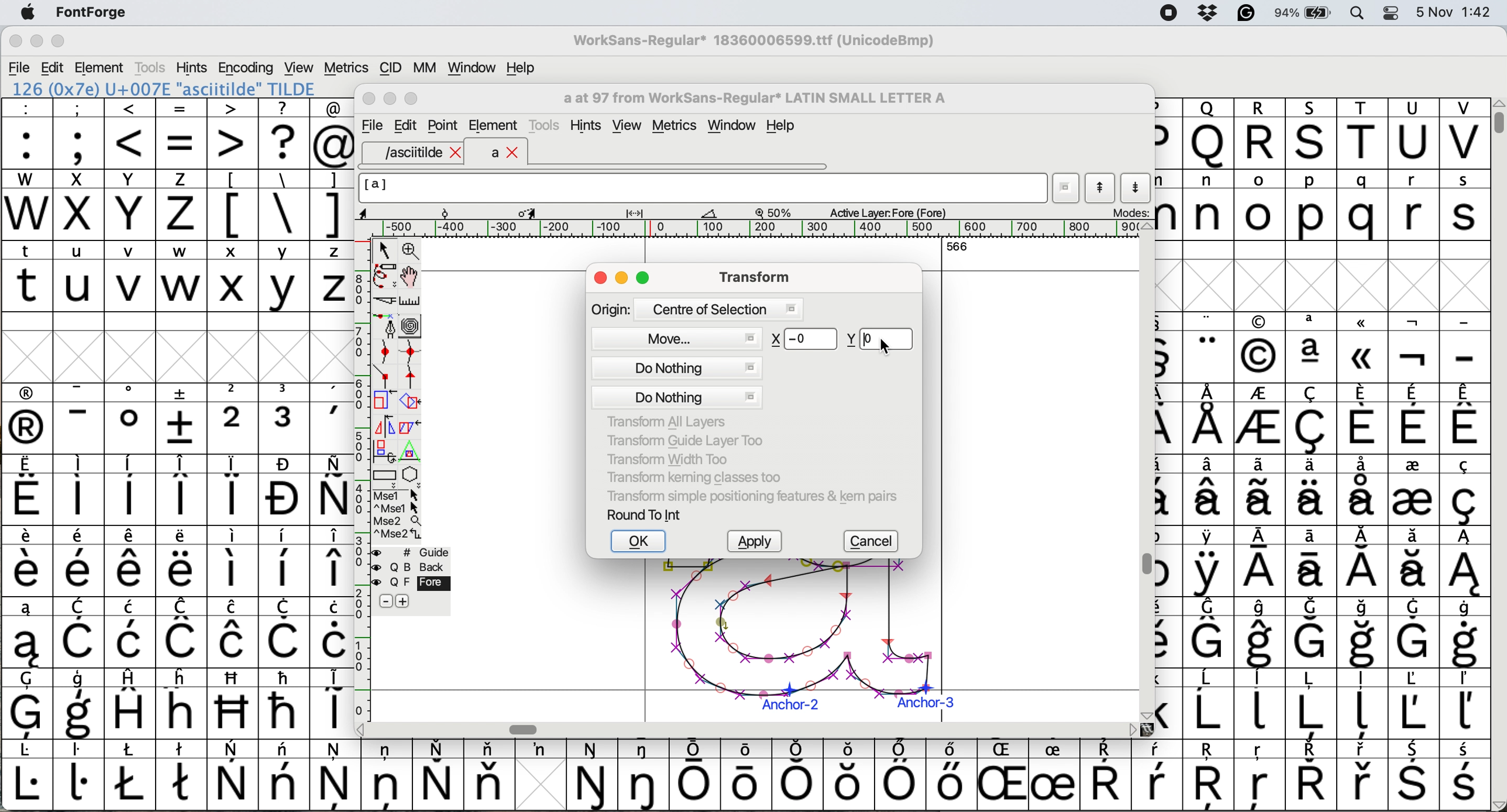 This screenshot has width=1507, height=812. Describe the element at coordinates (233, 133) in the screenshot. I see `>` at that location.